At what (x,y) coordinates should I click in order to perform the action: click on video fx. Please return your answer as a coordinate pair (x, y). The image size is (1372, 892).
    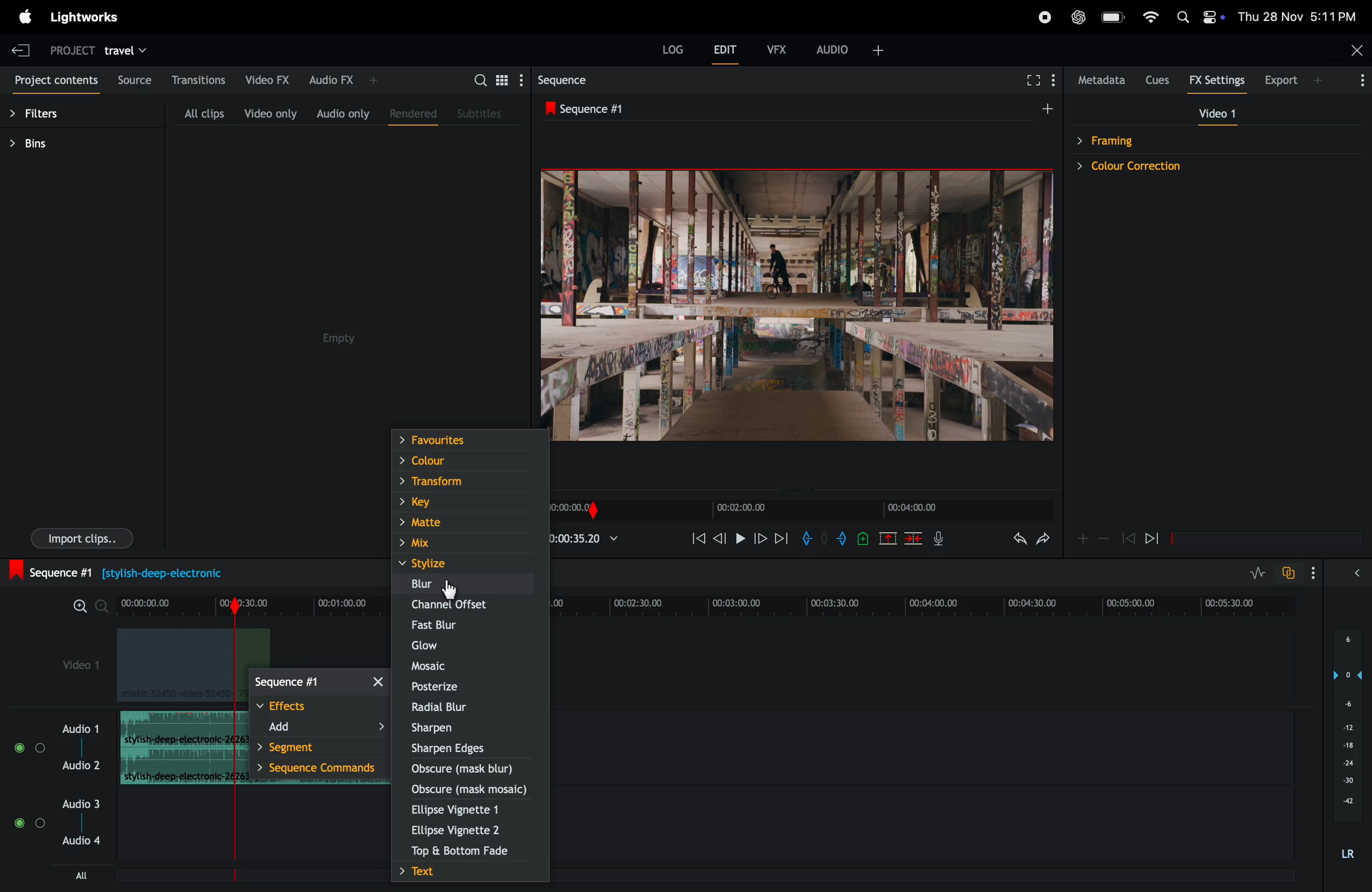
    Looking at the image, I should click on (267, 78).